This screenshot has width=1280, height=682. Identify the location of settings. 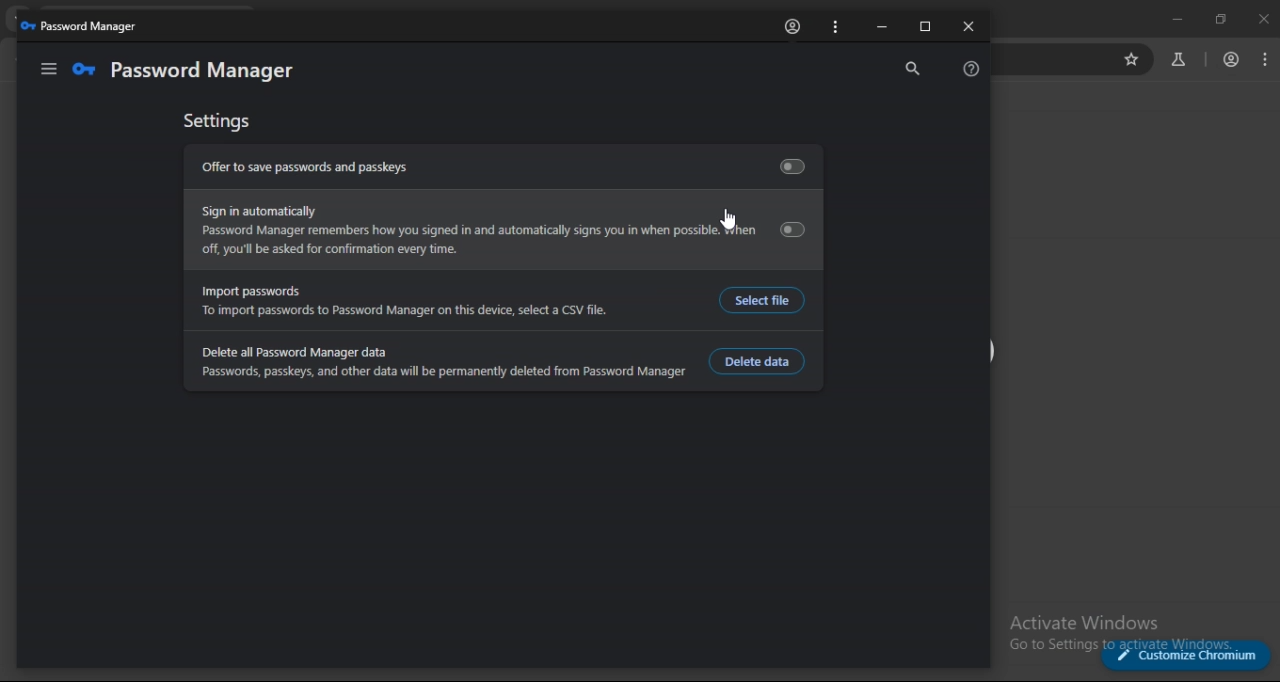
(219, 121).